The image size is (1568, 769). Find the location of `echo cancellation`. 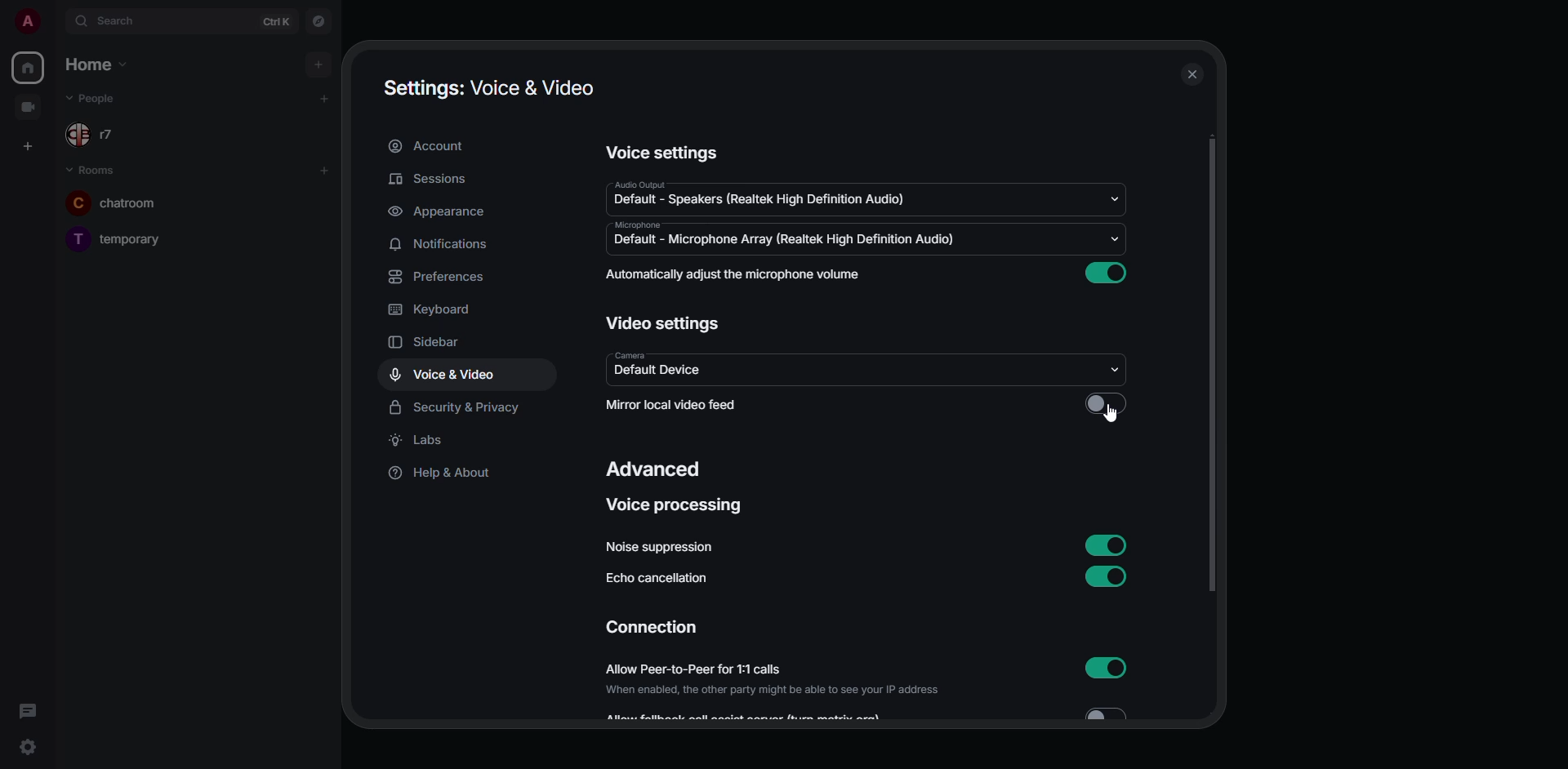

echo cancellation is located at coordinates (658, 580).